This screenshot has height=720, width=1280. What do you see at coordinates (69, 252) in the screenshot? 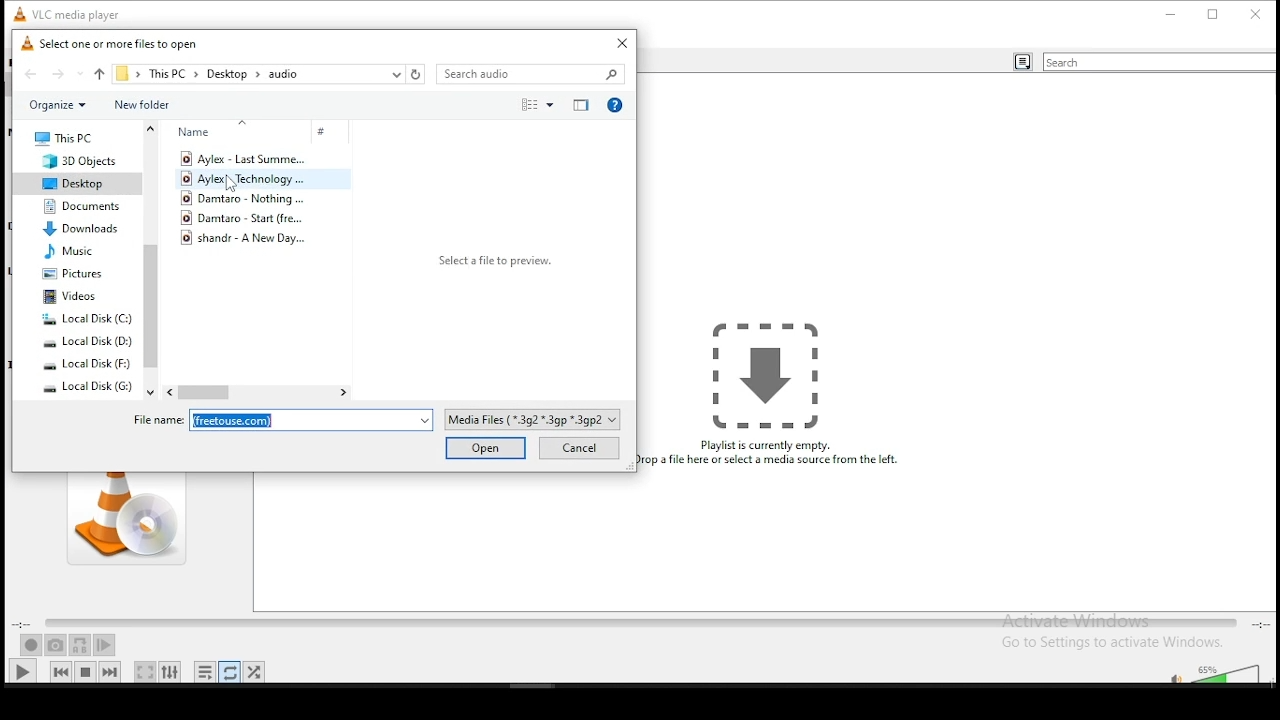
I see `music` at bounding box center [69, 252].